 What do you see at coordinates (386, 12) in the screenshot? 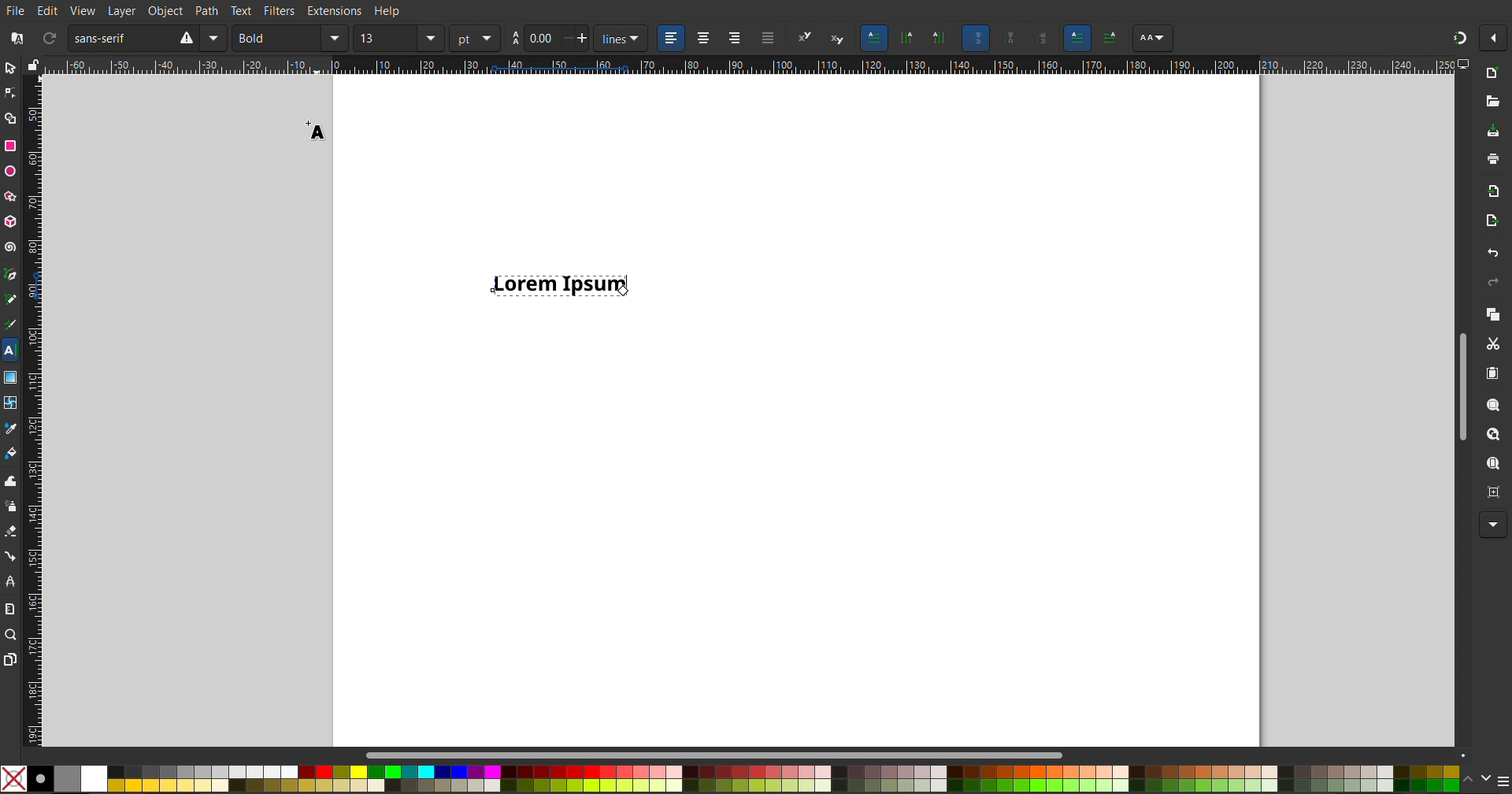
I see `Help` at bounding box center [386, 12].